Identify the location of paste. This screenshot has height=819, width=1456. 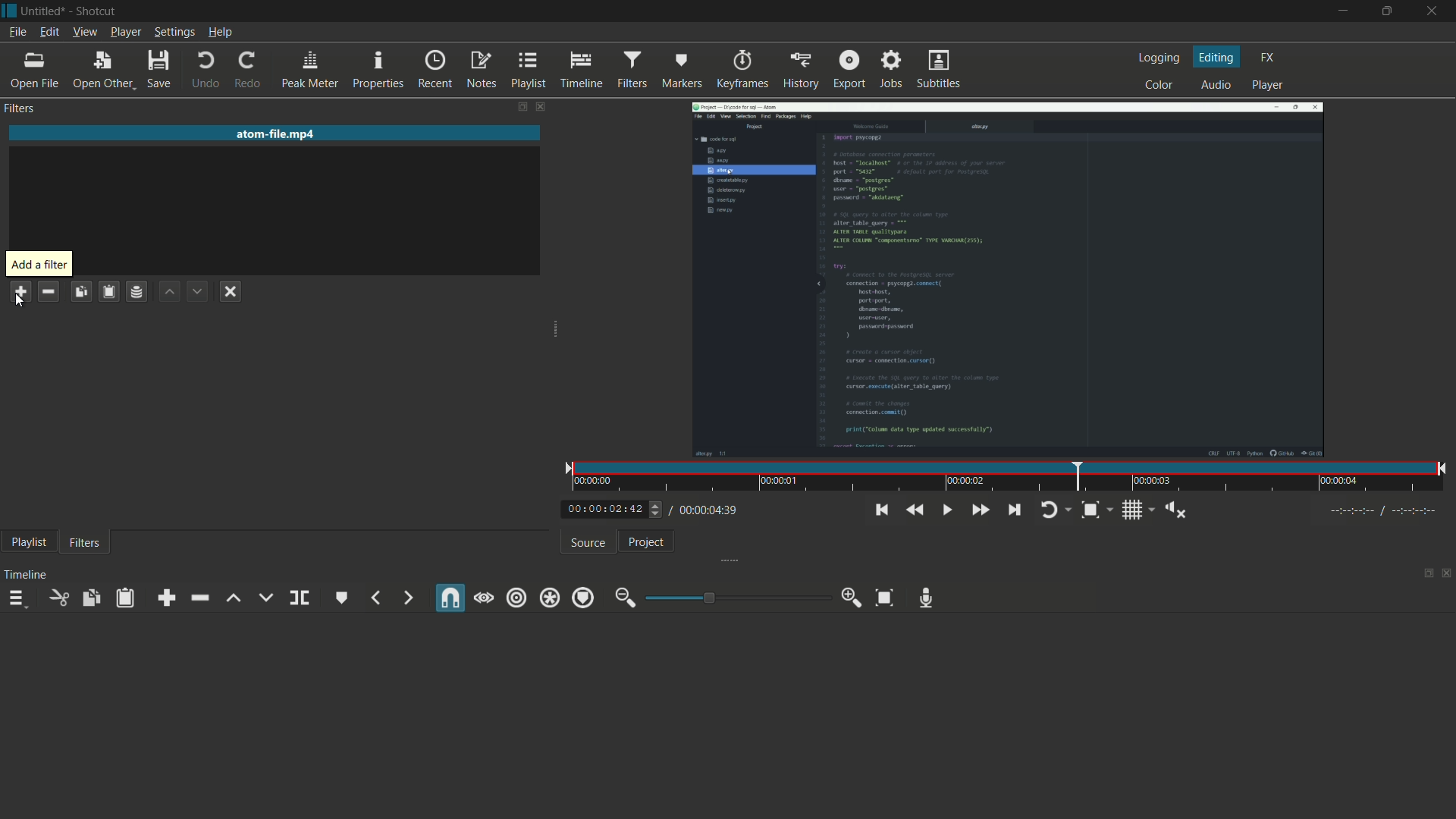
(110, 292).